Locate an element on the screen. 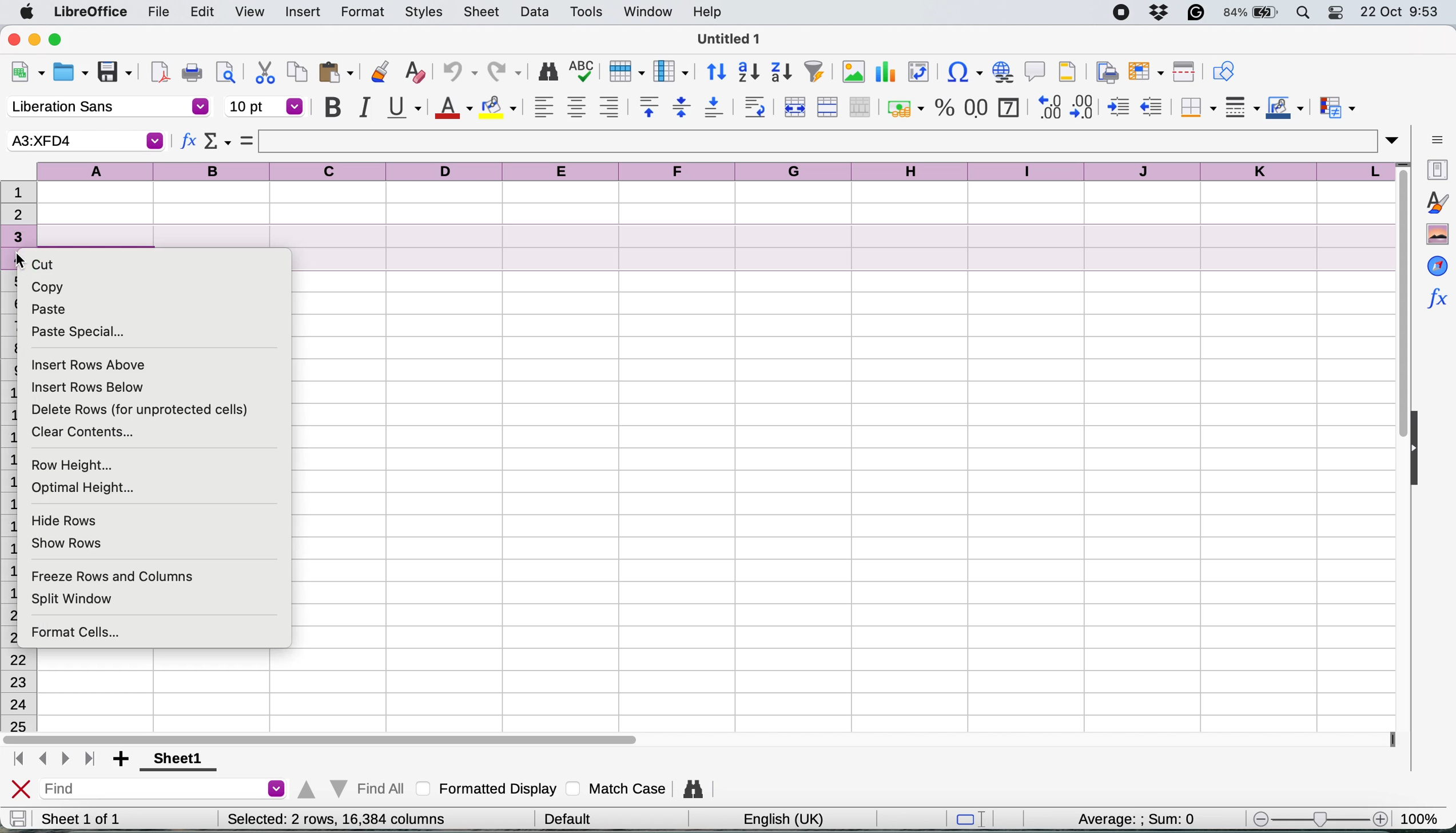 This screenshot has height=833, width=1456. average : : sum: 0 is located at coordinates (1143, 819).